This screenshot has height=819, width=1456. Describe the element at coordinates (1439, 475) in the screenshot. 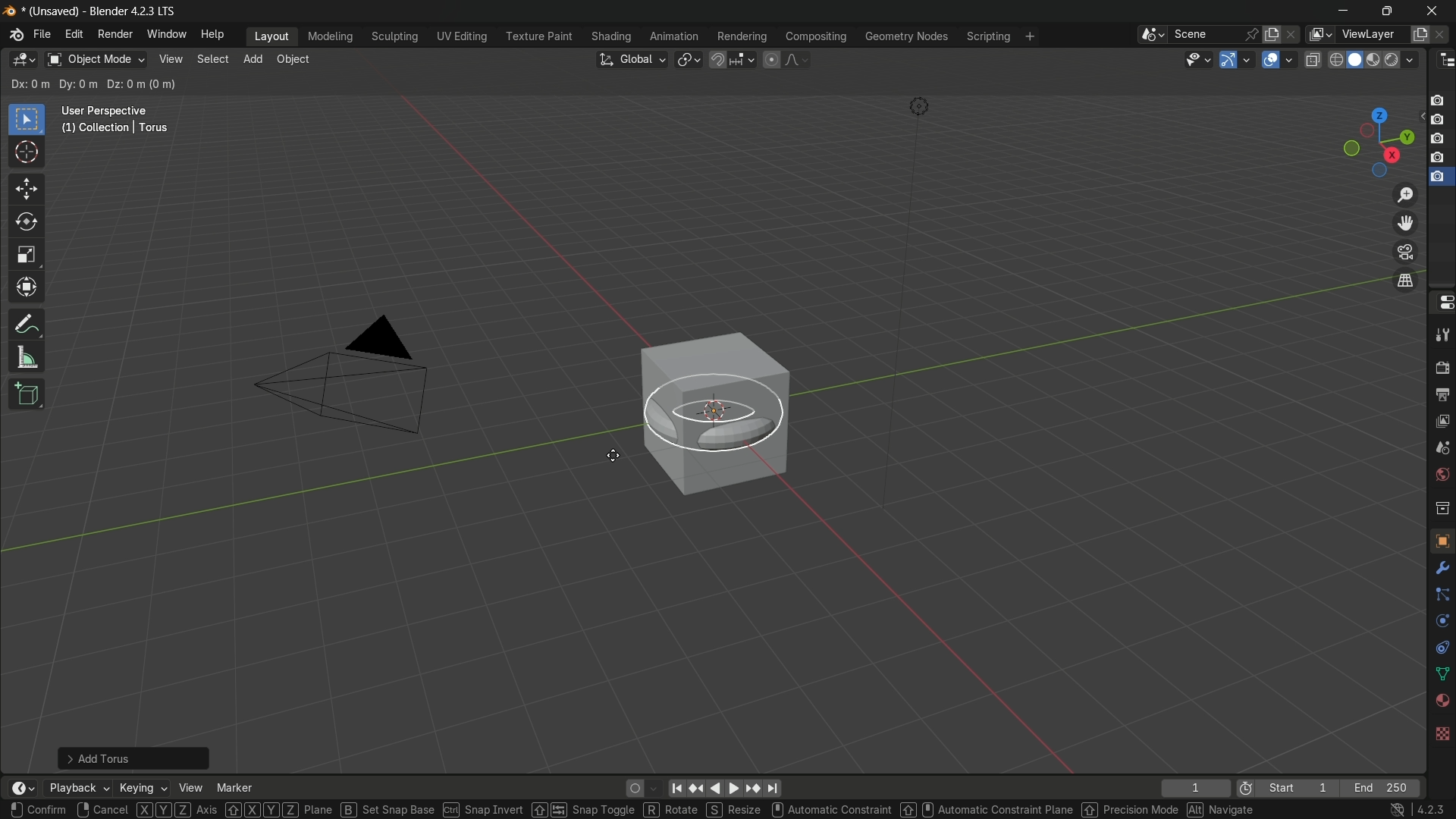

I see `world` at that location.